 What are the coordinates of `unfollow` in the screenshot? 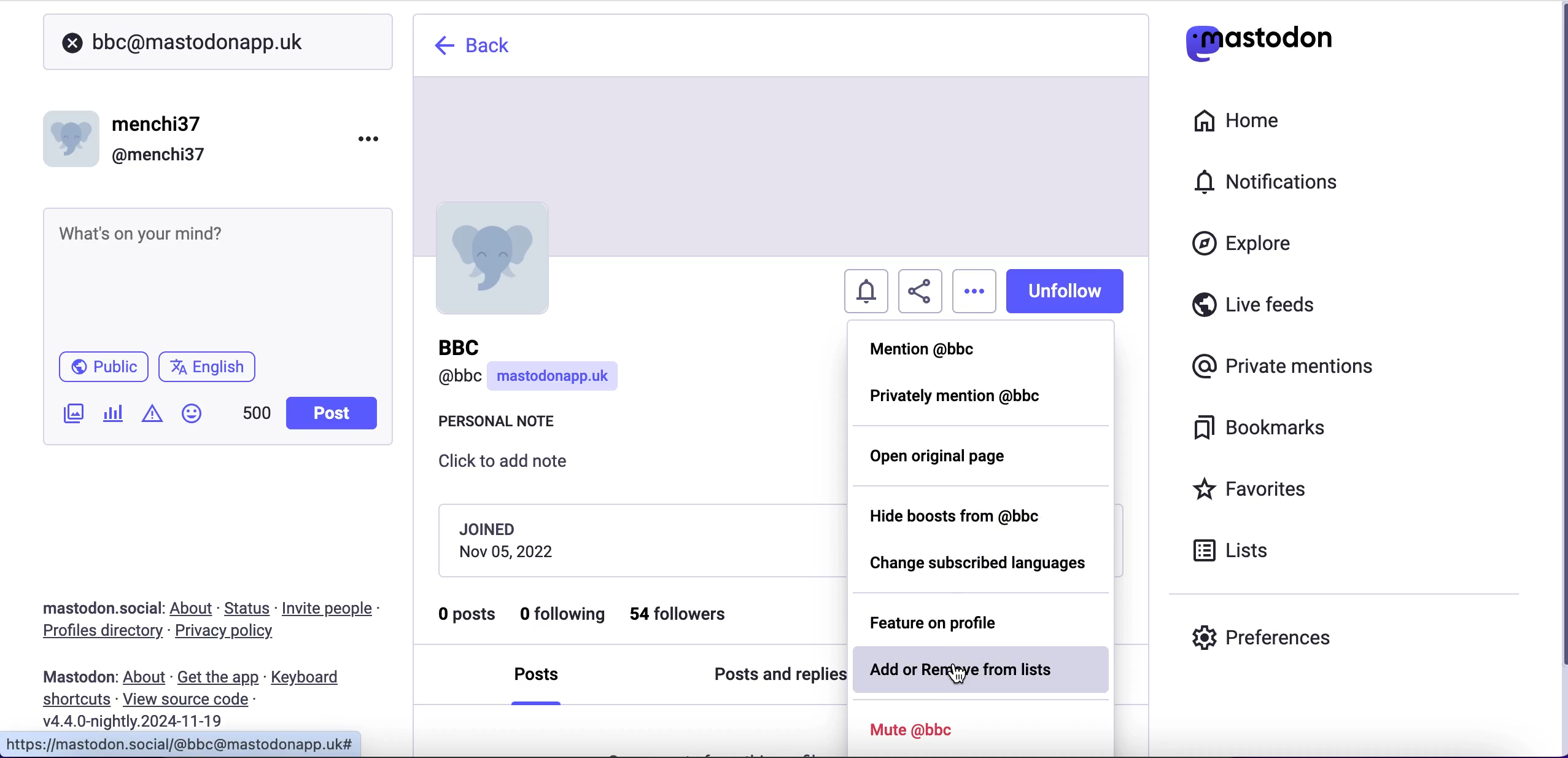 It's located at (1065, 292).